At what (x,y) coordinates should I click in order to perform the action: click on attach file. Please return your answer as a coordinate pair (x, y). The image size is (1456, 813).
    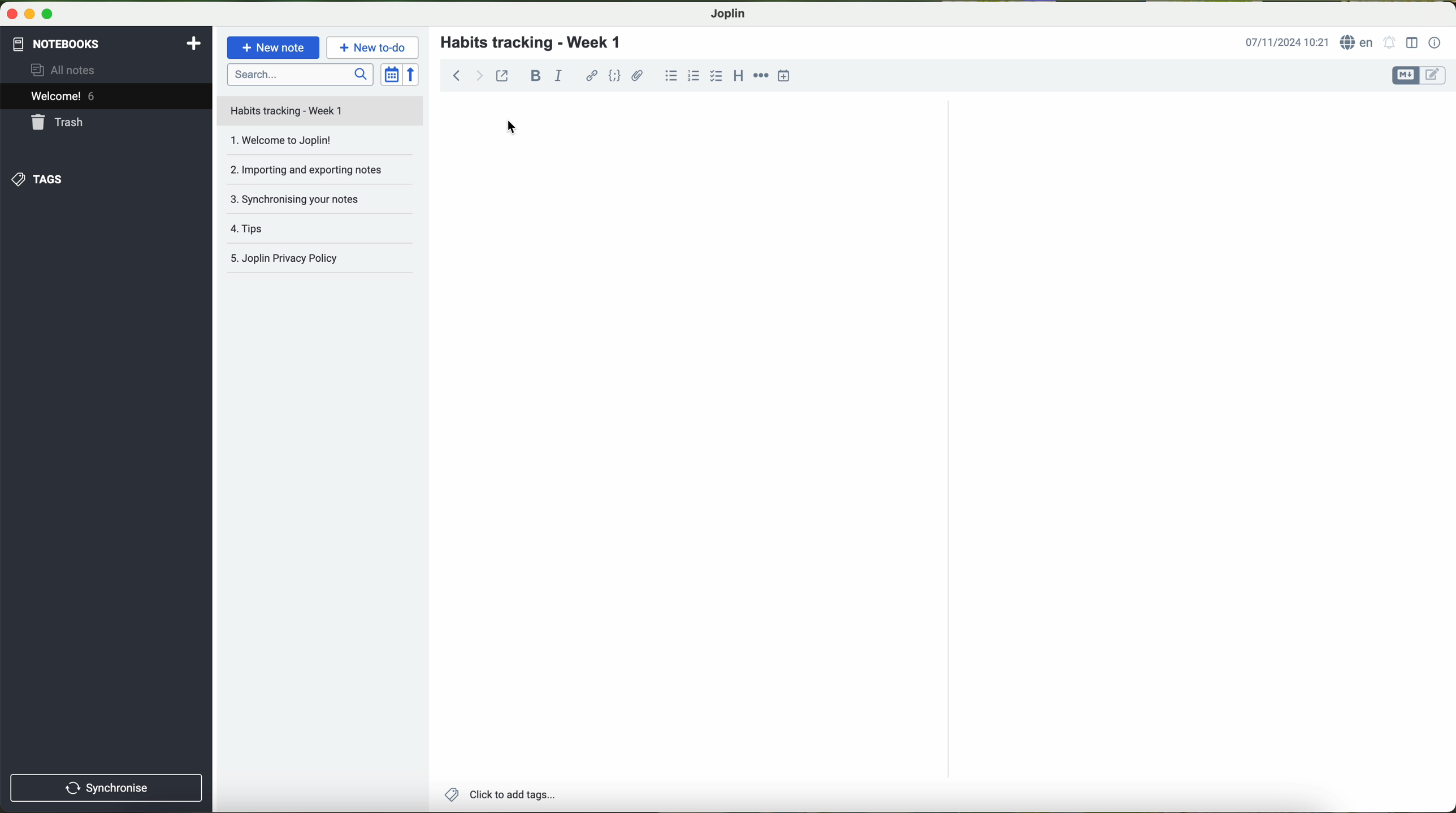
    Looking at the image, I should click on (638, 75).